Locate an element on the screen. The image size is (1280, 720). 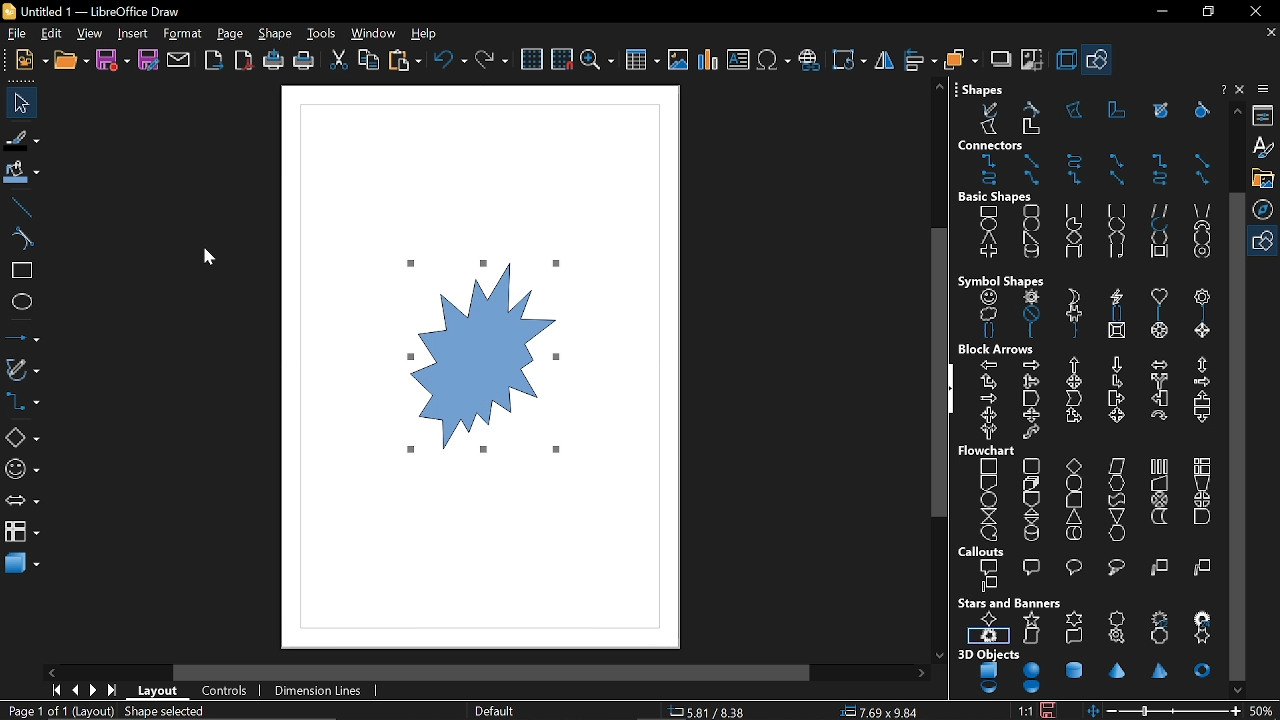
callouts is located at coordinates (1090, 569).